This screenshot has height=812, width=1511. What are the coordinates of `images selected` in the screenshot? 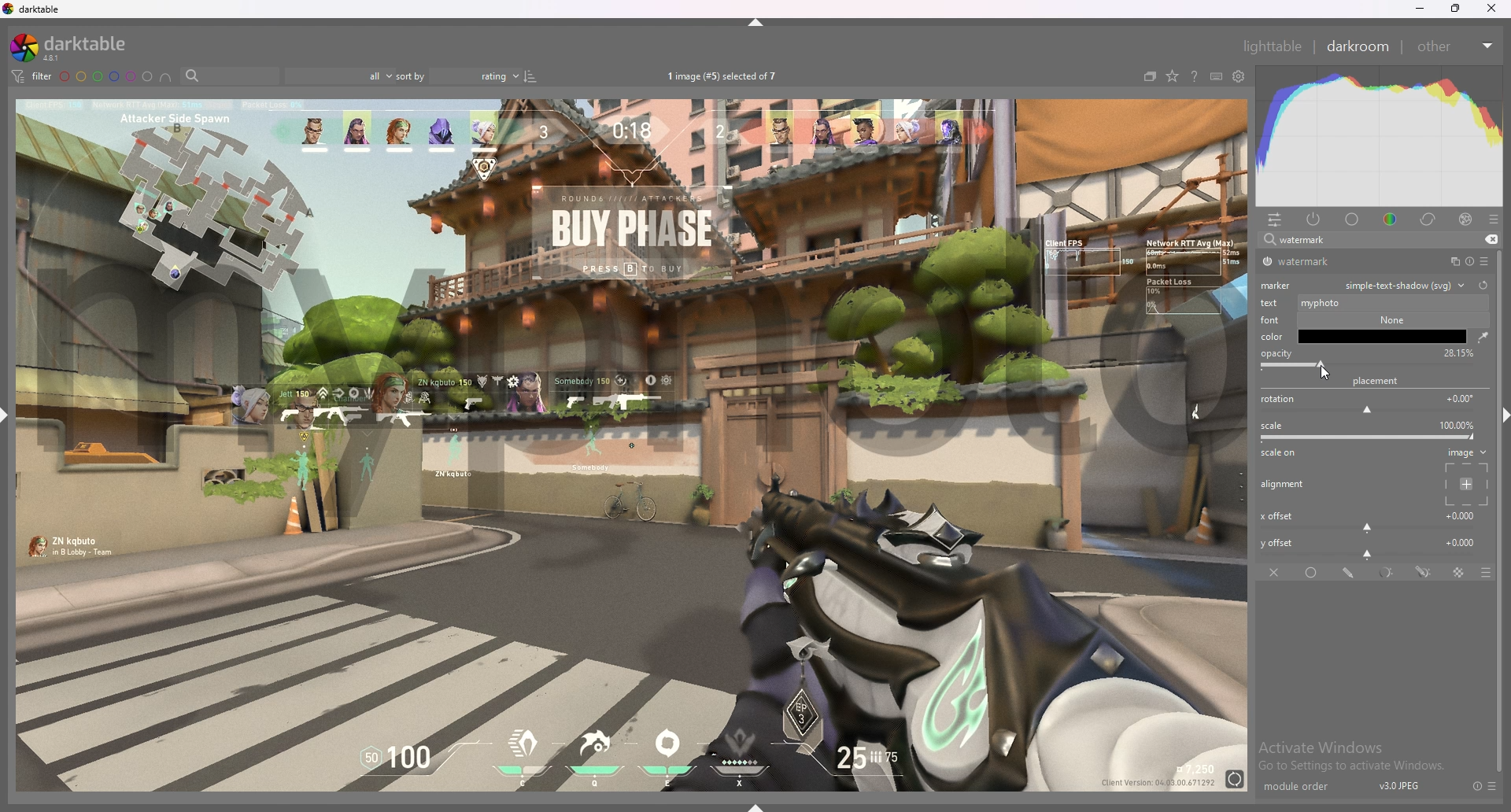 It's located at (725, 76).